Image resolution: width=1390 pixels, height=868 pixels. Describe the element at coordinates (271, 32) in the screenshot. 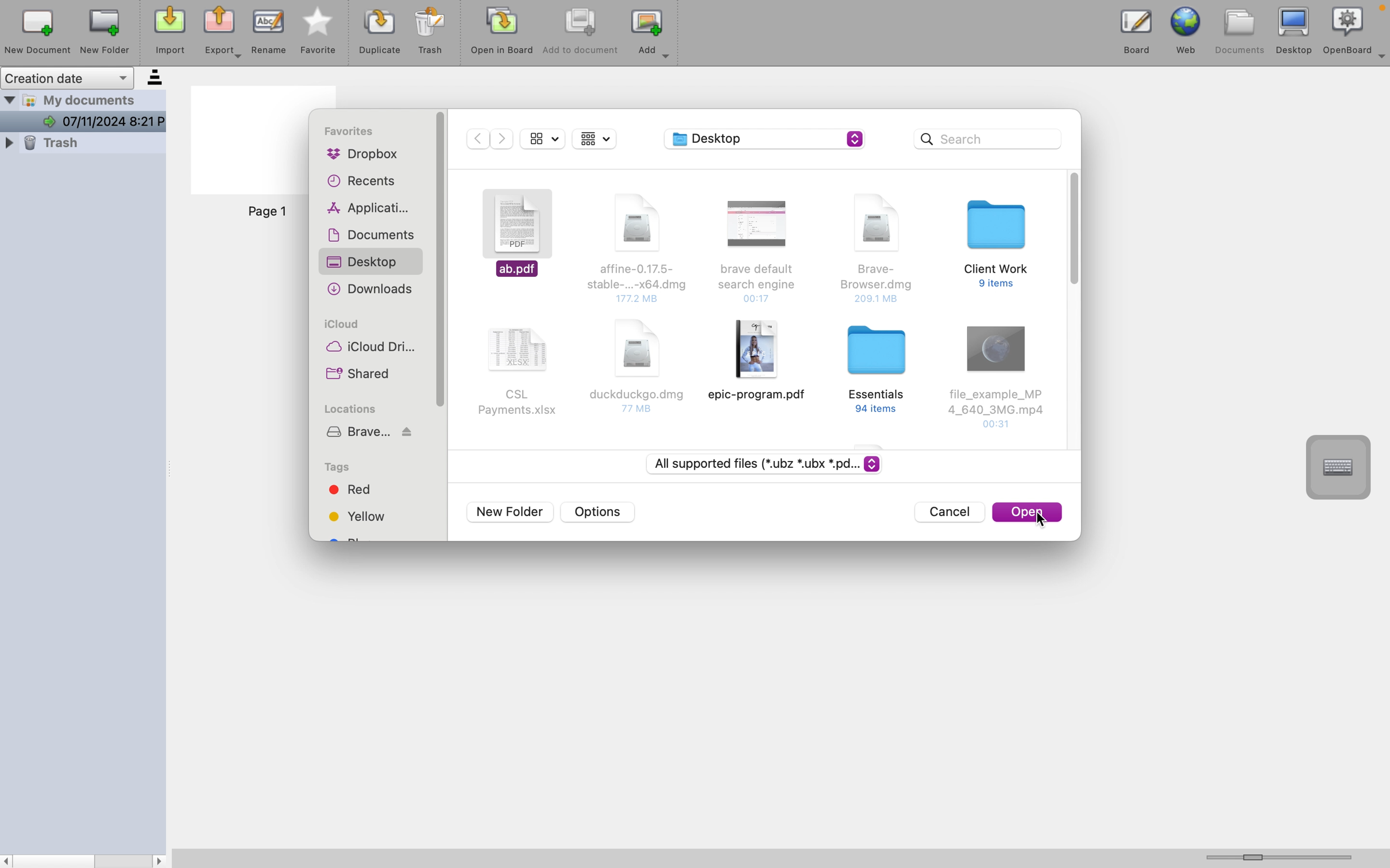

I see `rename` at that location.